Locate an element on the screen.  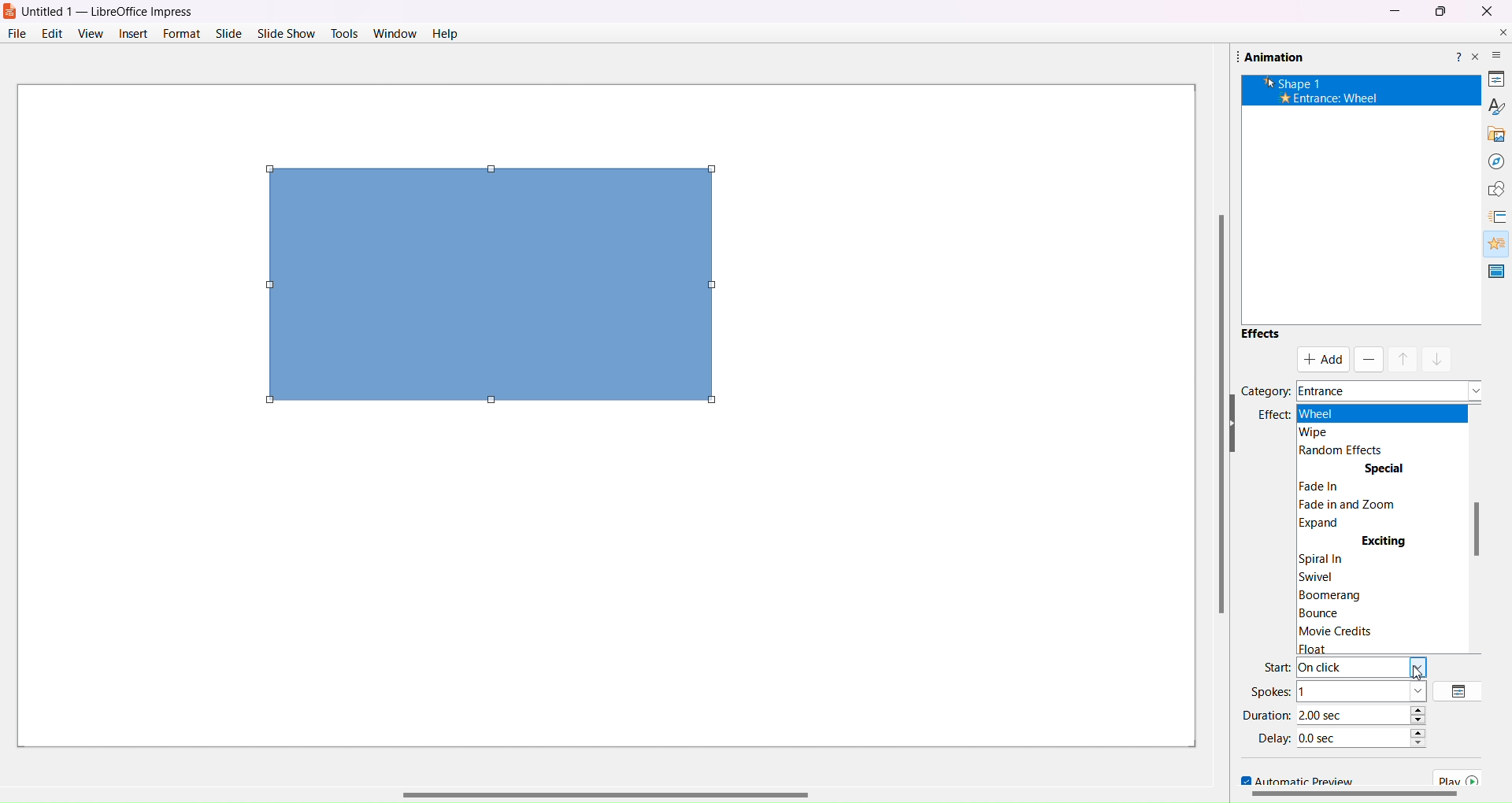
Slide Show is located at coordinates (287, 31).